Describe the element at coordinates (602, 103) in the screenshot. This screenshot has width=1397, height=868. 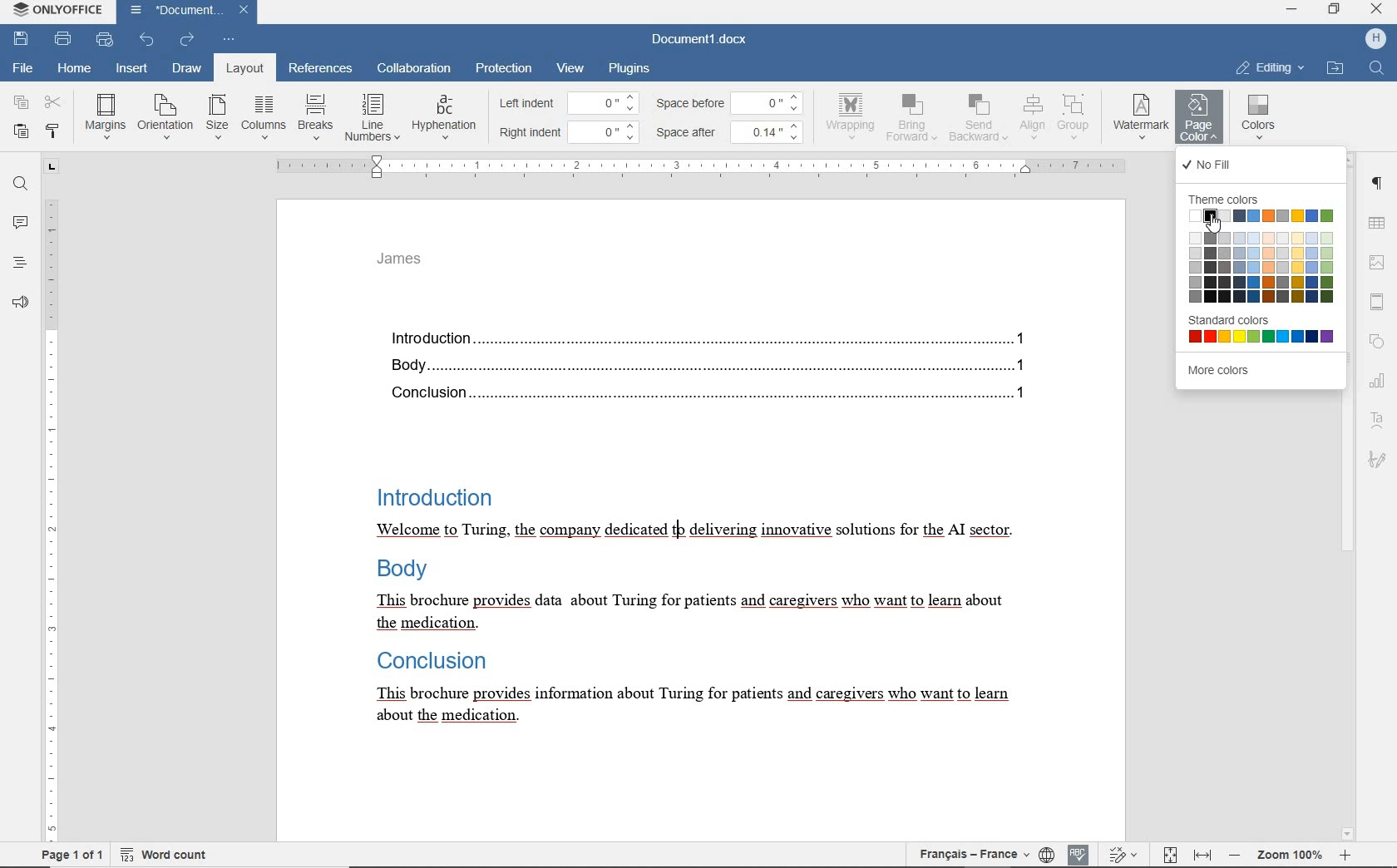
I see `0` at that location.